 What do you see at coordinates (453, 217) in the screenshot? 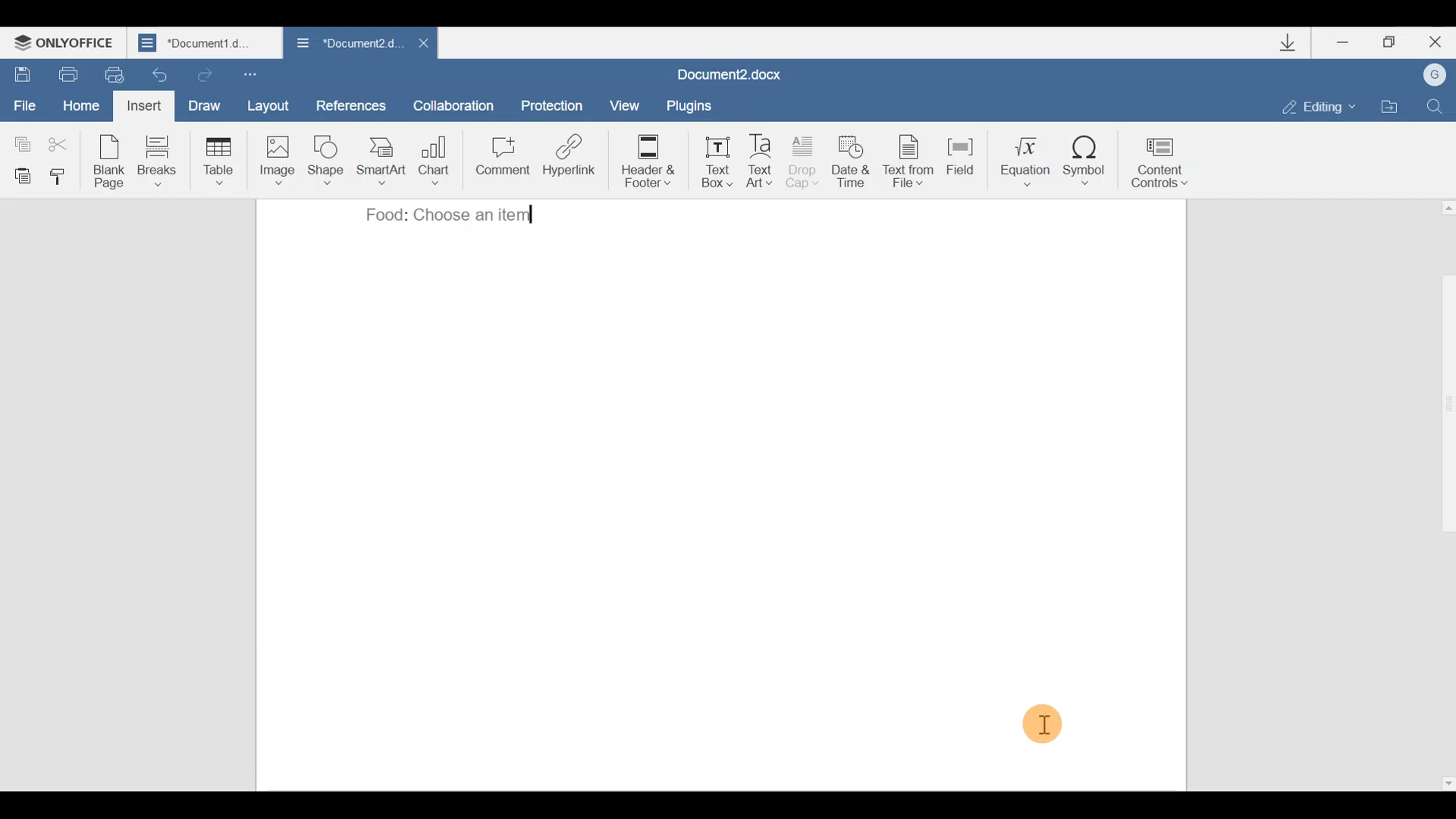
I see `Food: choose an item` at bounding box center [453, 217].